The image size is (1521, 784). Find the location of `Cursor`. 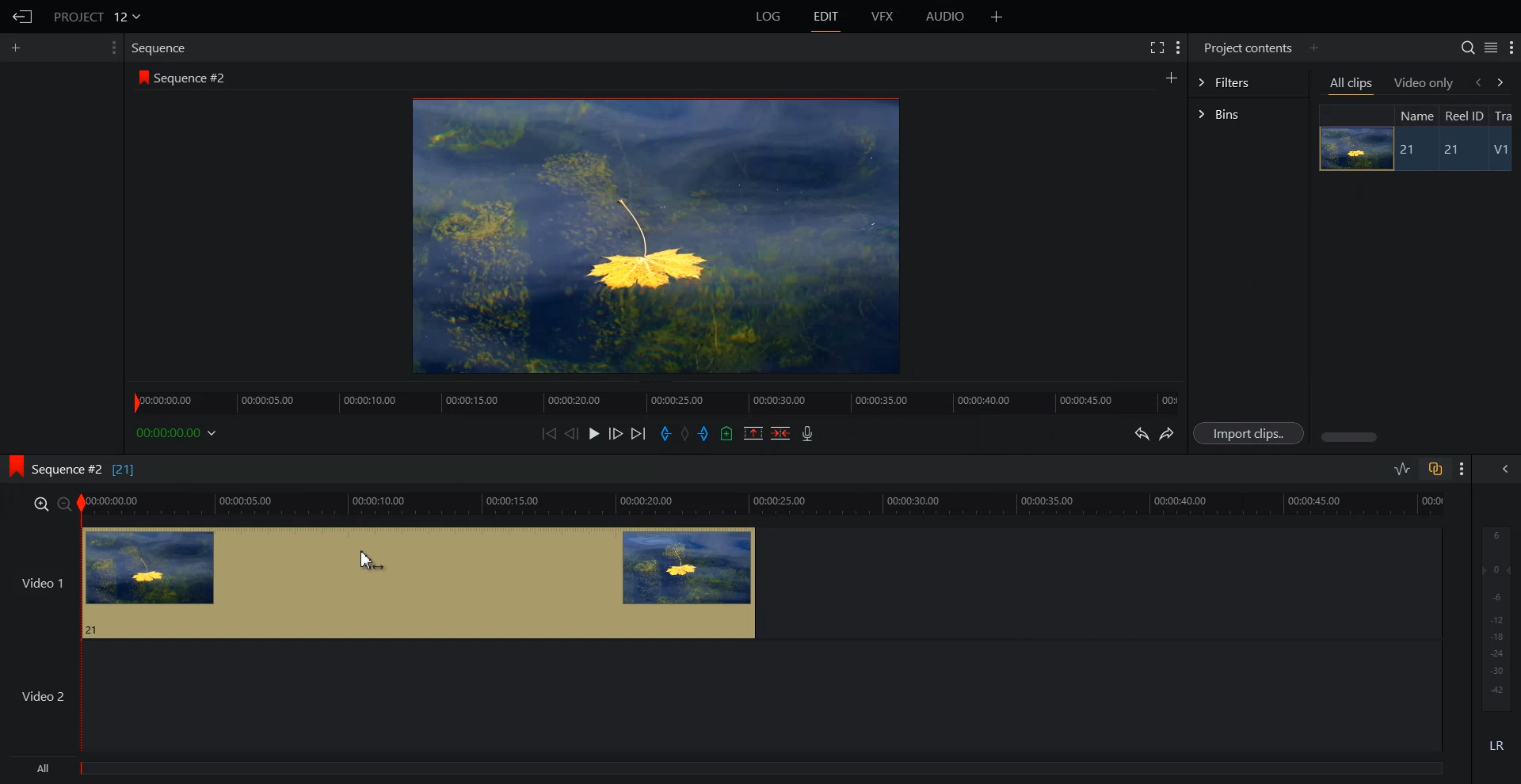

Cursor is located at coordinates (370, 563).